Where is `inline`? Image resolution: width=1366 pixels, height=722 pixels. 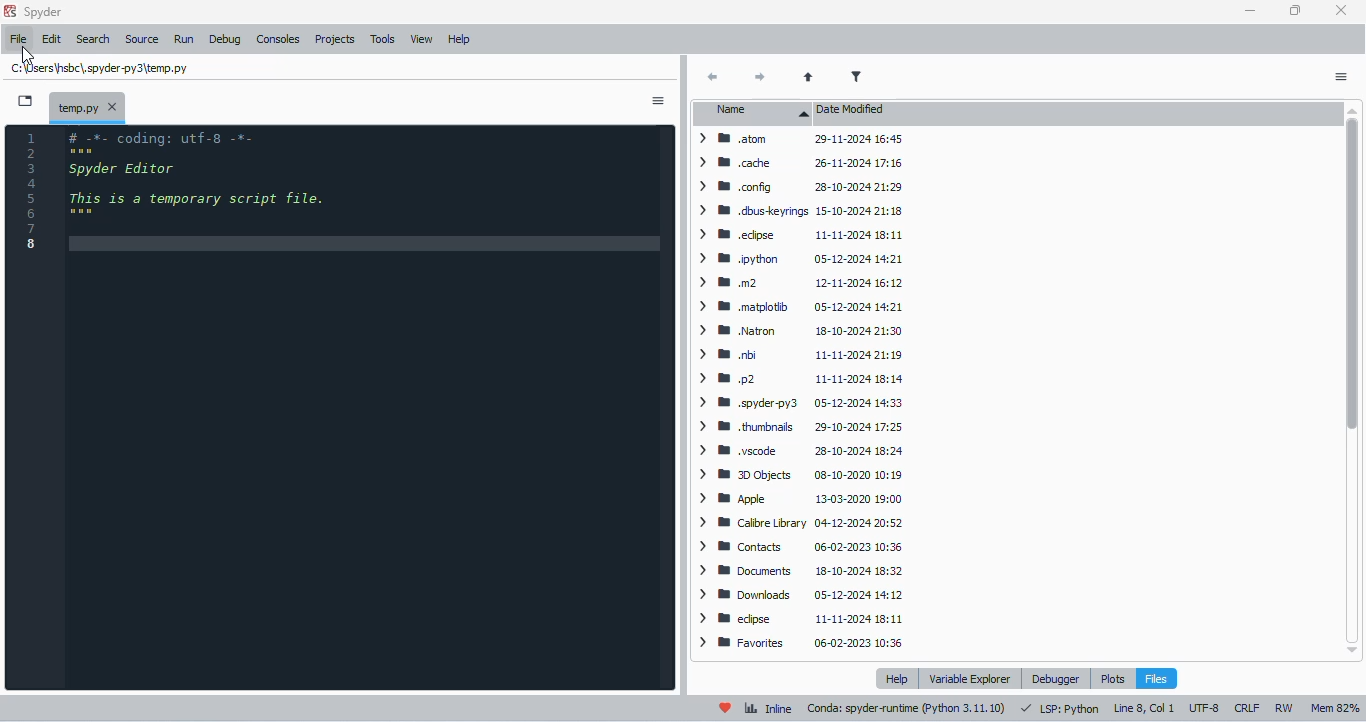
inline is located at coordinates (768, 709).